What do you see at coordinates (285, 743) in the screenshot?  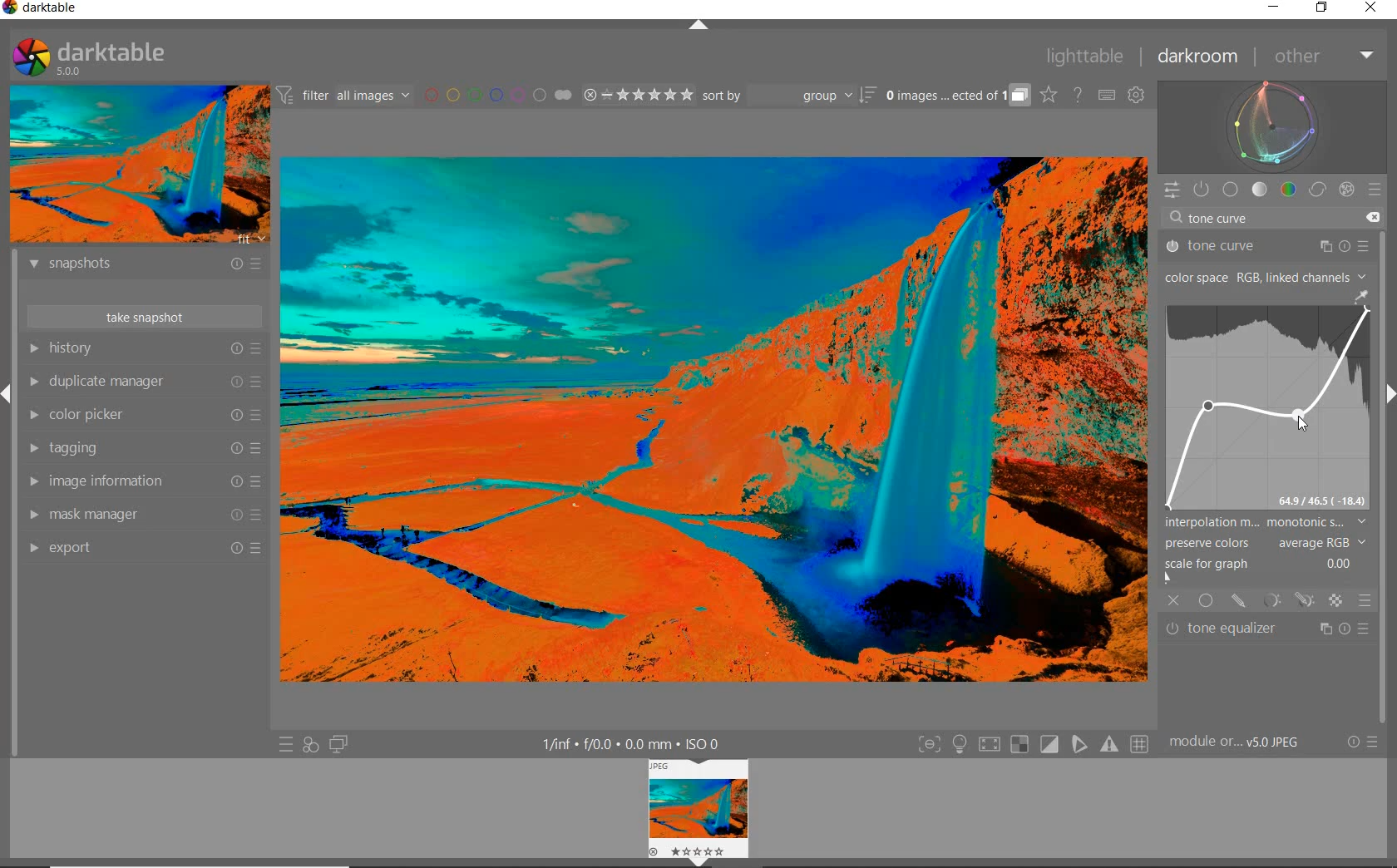 I see `QUICK ACCESS TO PRESET` at bounding box center [285, 743].